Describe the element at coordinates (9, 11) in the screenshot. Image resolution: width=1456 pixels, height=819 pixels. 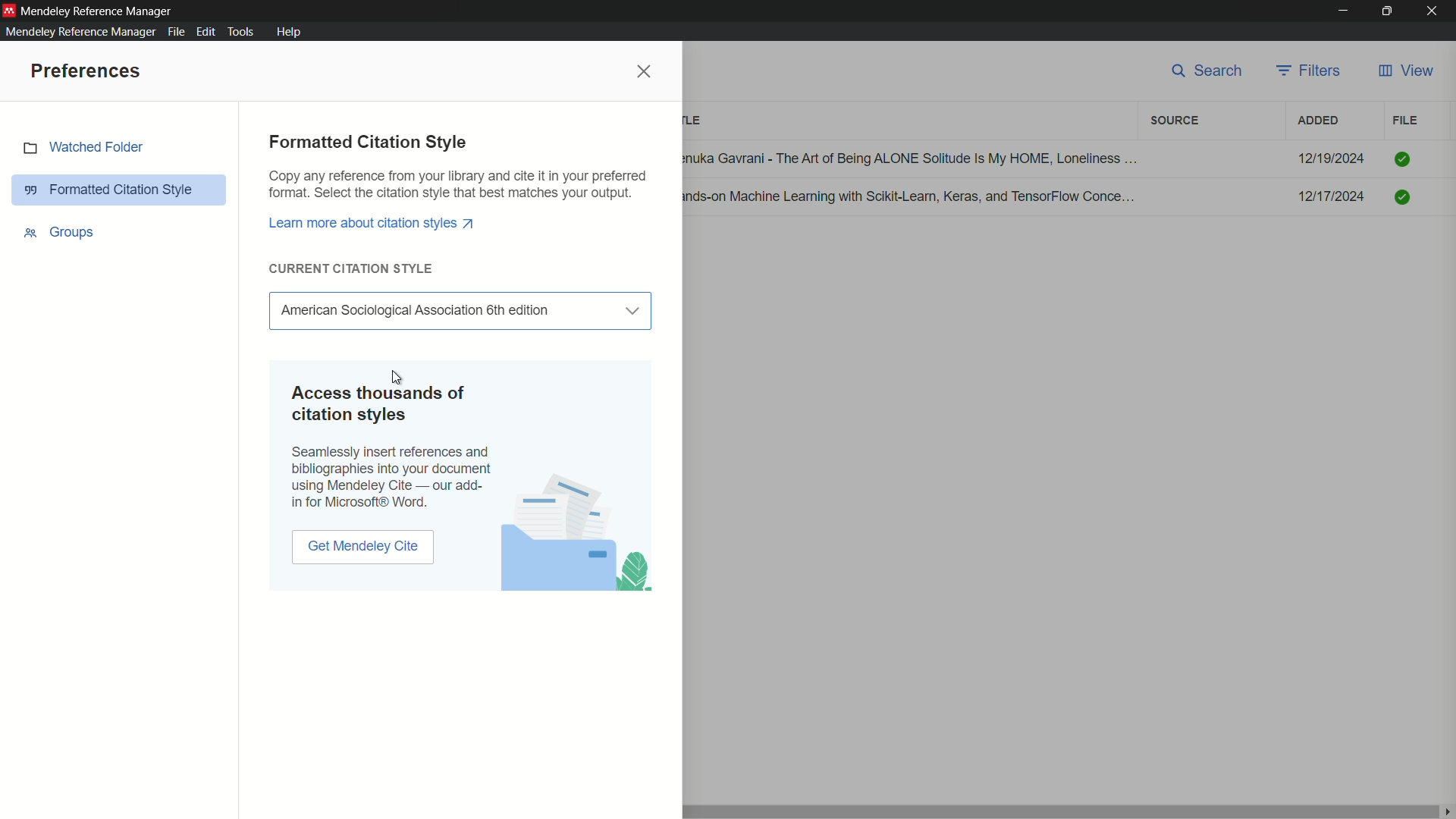
I see `app icon` at that location.